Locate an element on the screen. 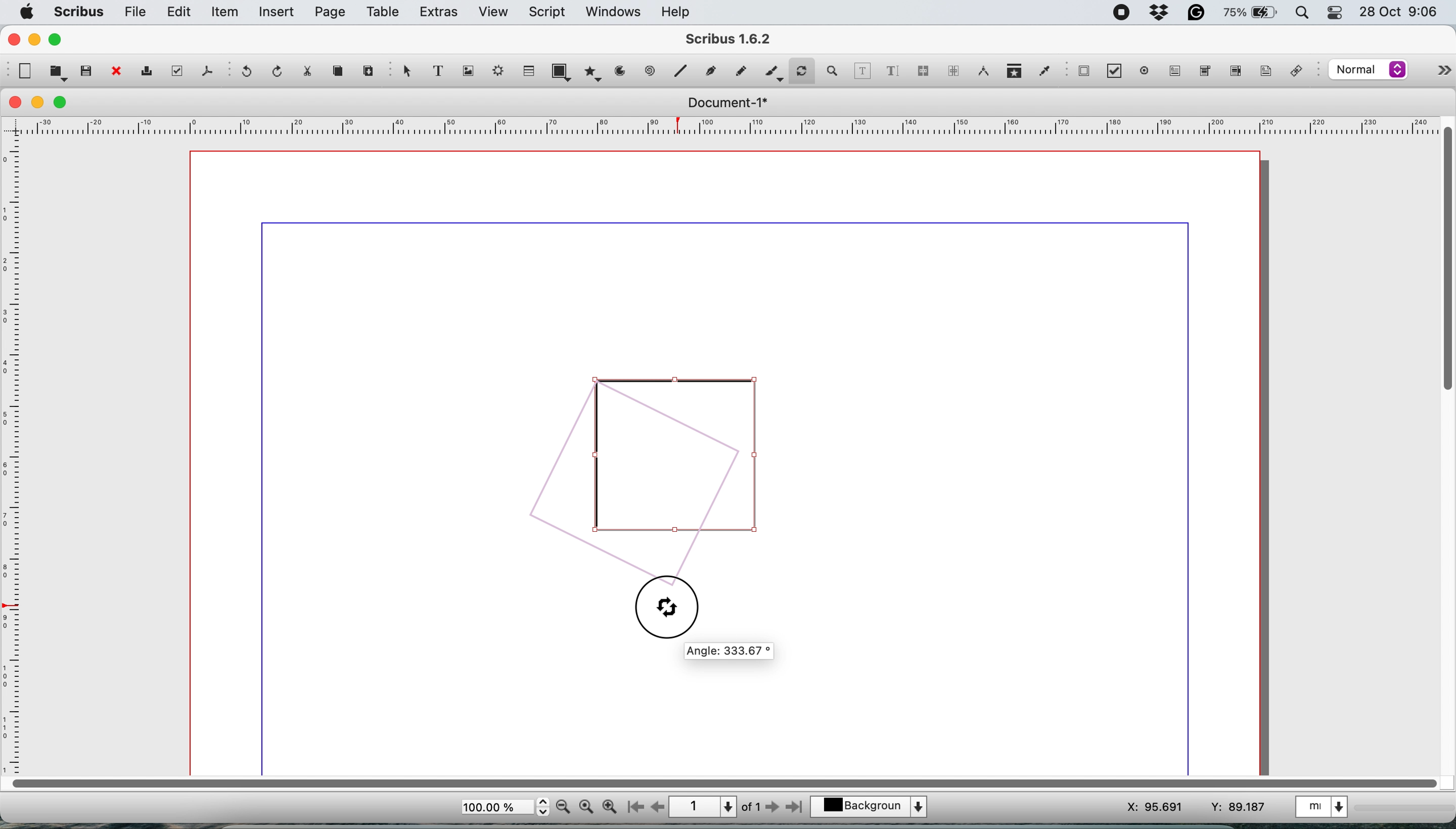  zoom scale is located at coordinates (504, 807).